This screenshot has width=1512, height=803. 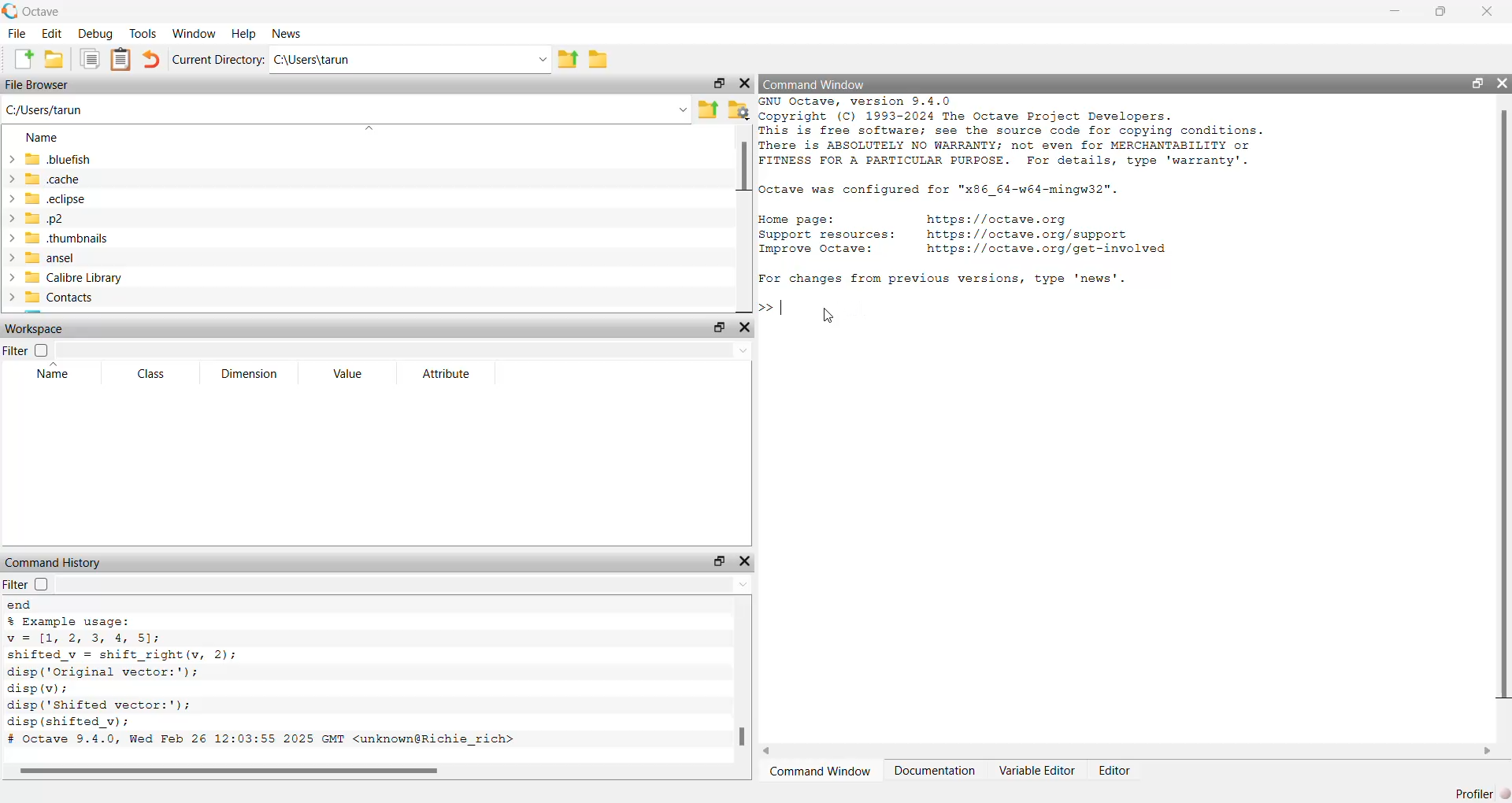 What do you see at coordinates (143, 682) in the screenshot?
I see `example usage code` at bounding box center [143, 682].